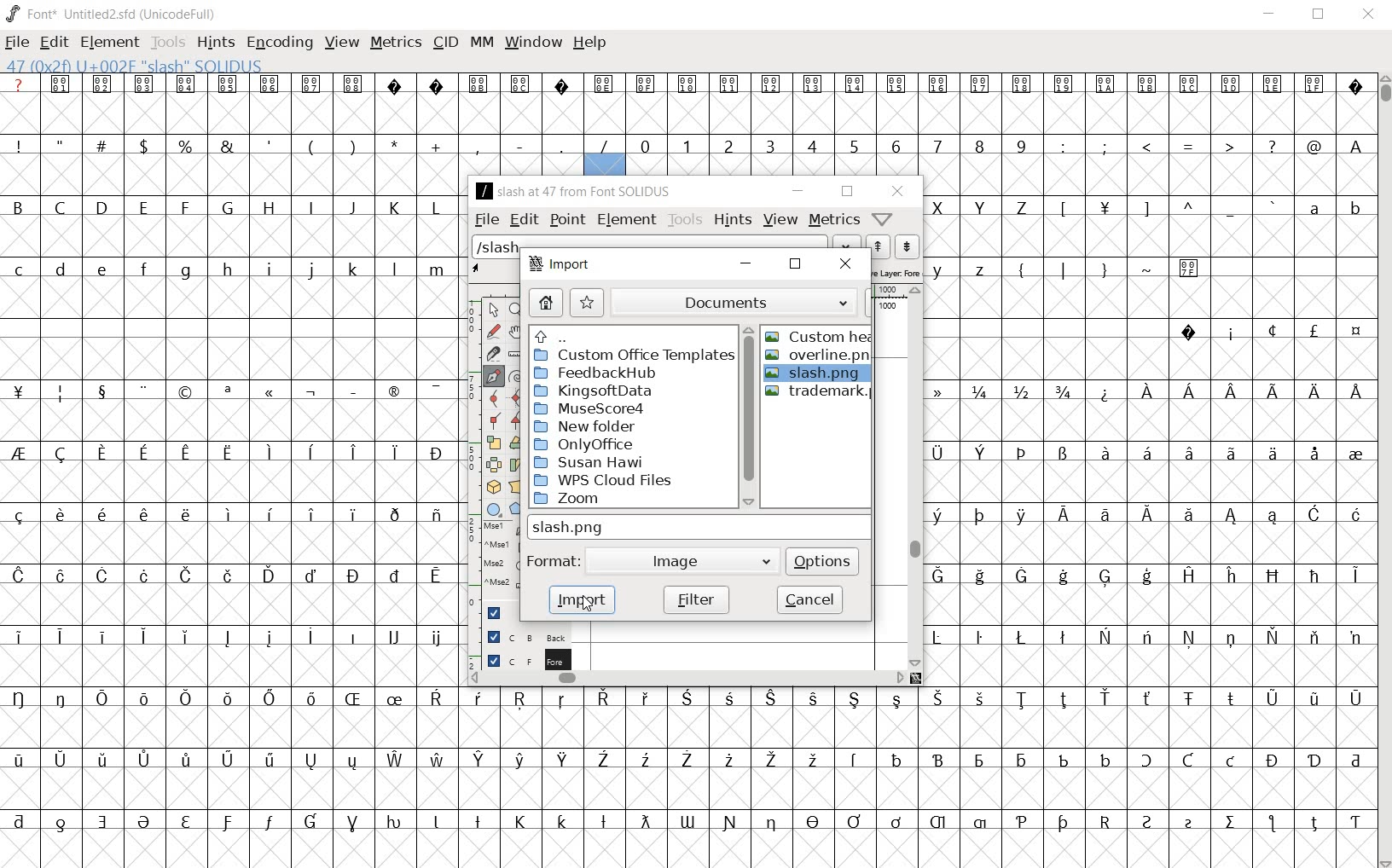 Image resolution: width=1392 pixels, height=868 pixels. I want to click on , so click(685, 819).